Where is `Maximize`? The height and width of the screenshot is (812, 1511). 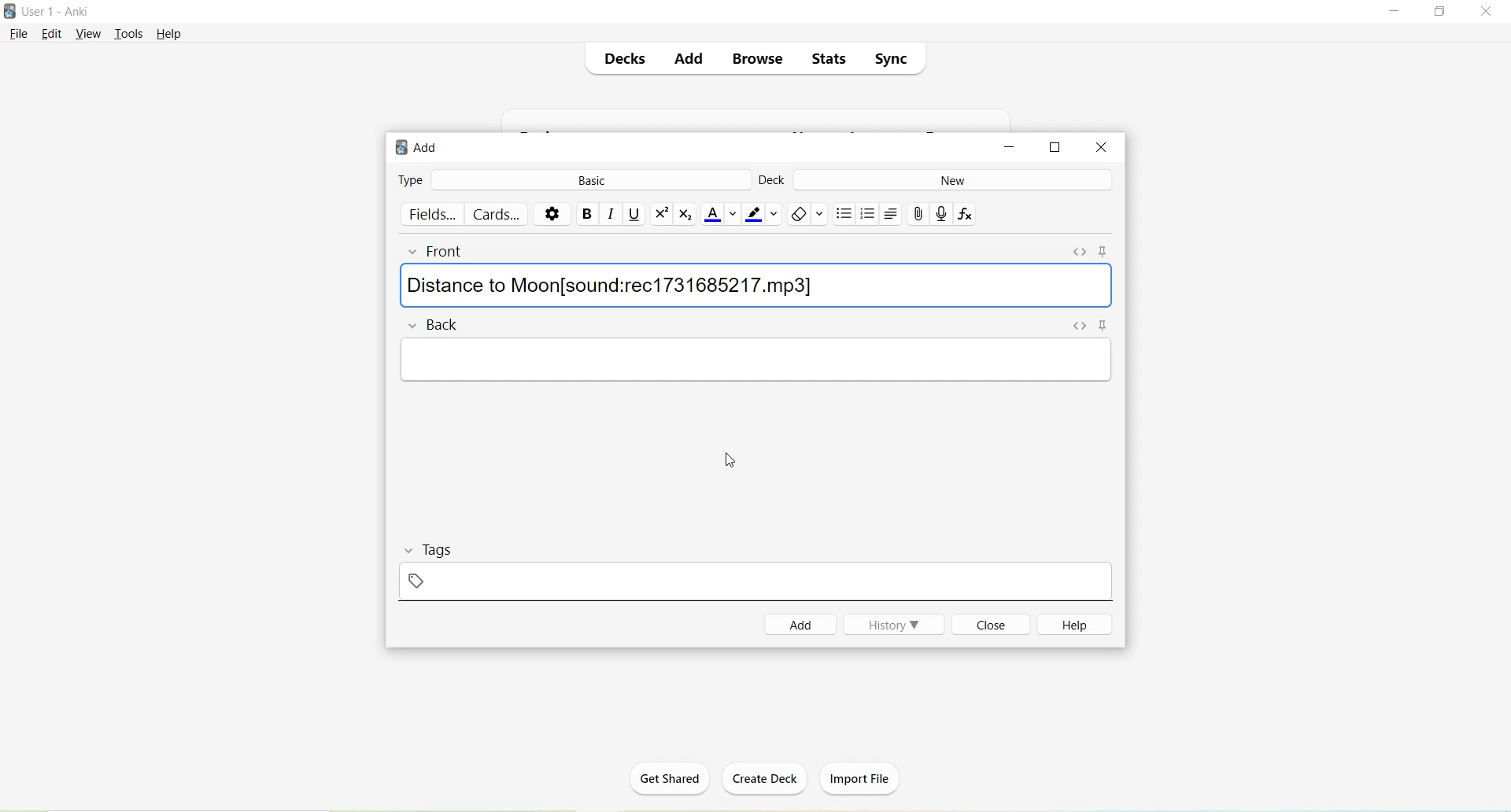
Maximize is located at coordinates (1055, 148).